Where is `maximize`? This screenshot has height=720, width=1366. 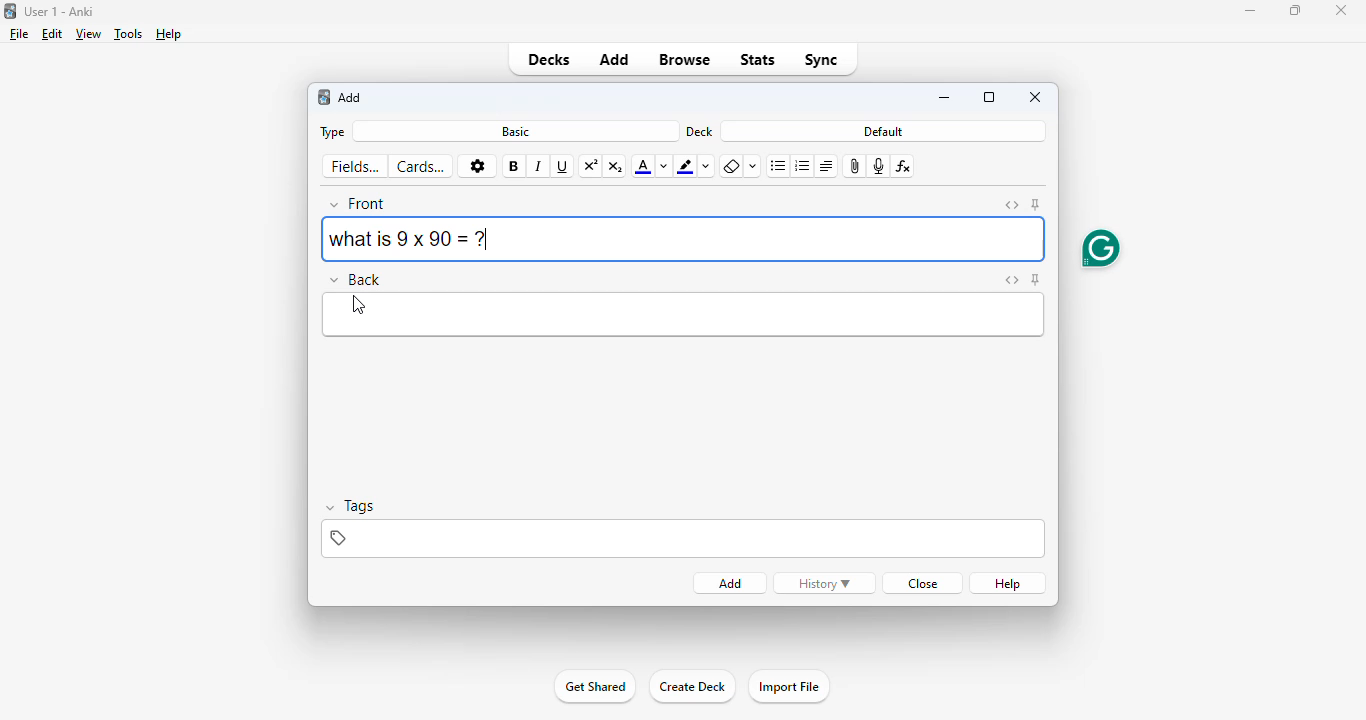
maximize is located at coordinates (1296, 10).